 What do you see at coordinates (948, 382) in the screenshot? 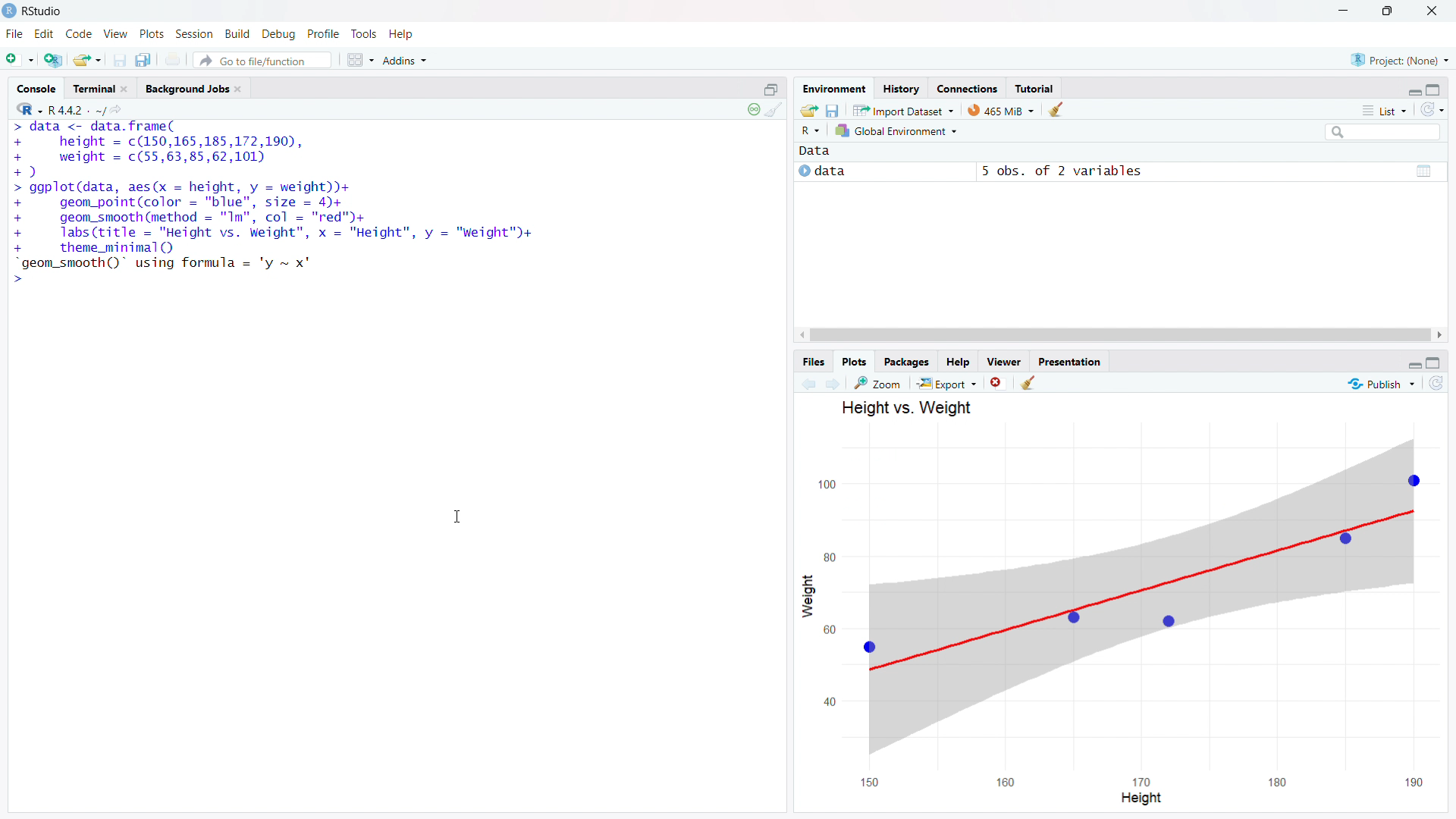
I see `export` at bounding box center [948, 382].